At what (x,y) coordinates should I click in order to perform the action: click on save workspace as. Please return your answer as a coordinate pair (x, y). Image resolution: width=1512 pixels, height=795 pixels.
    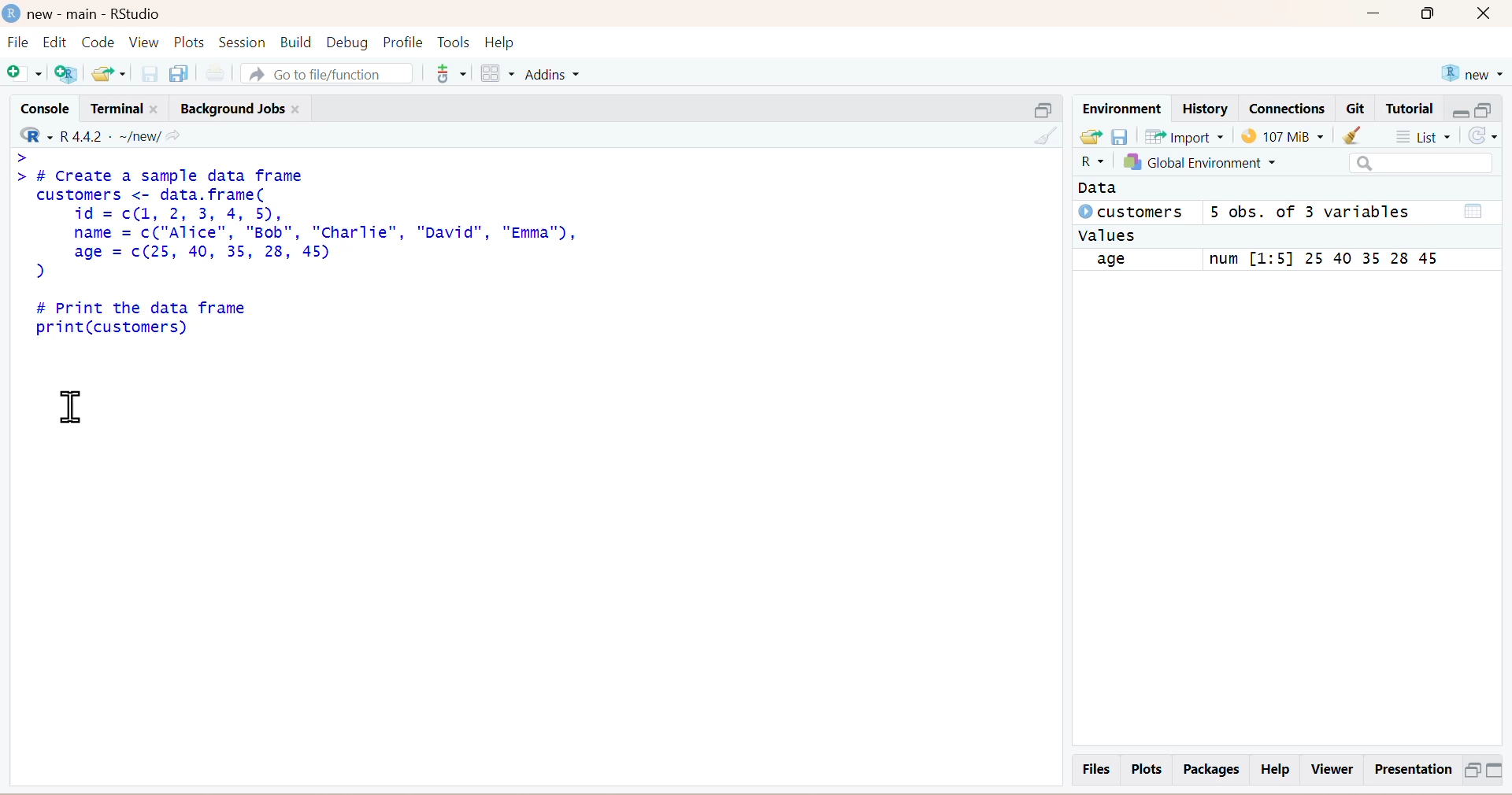
    Looking at the image, I should click on (1121, 135).